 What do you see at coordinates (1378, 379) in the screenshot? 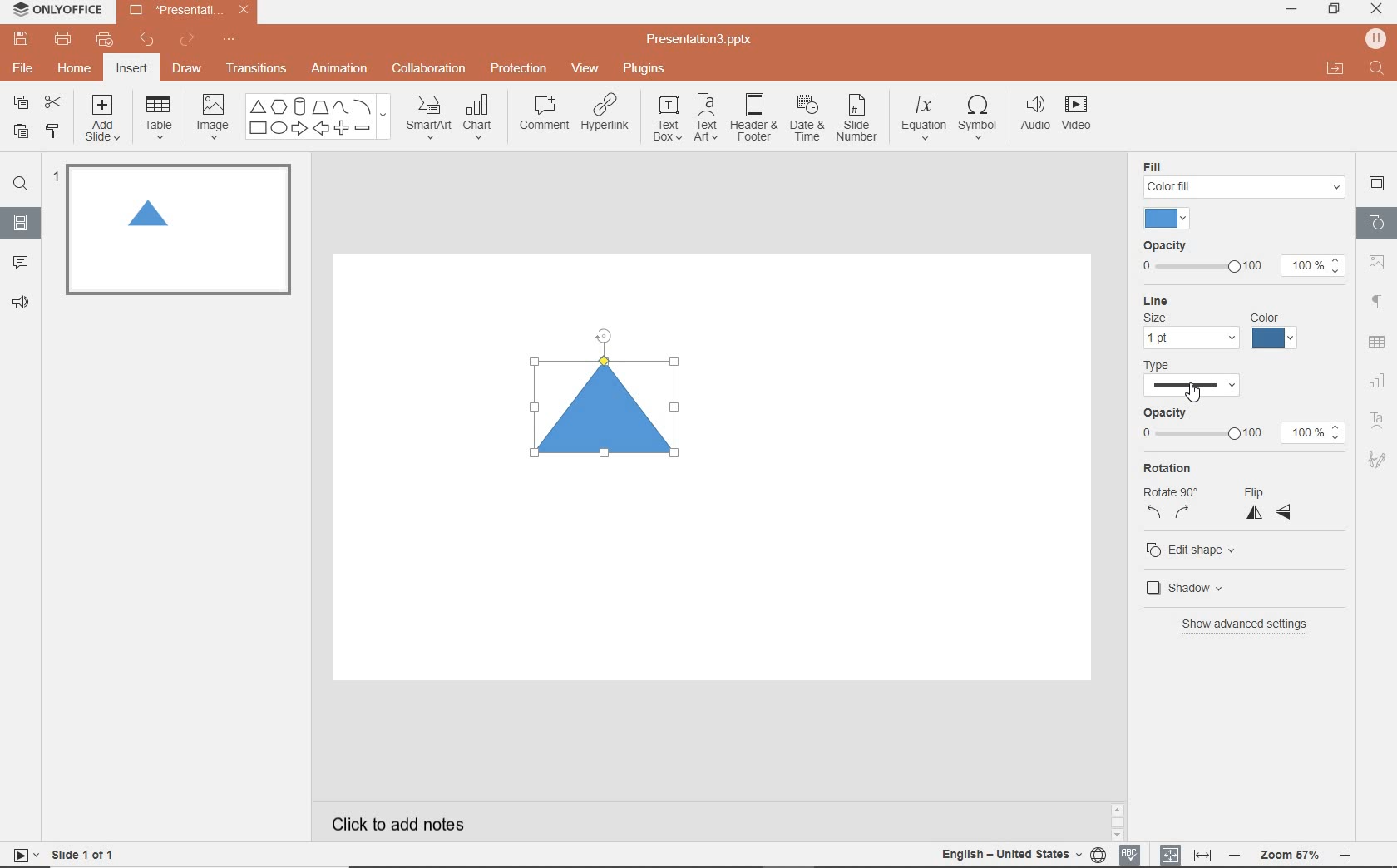
I see `CHART SETTINGS` at bounding box center [1378, 379].